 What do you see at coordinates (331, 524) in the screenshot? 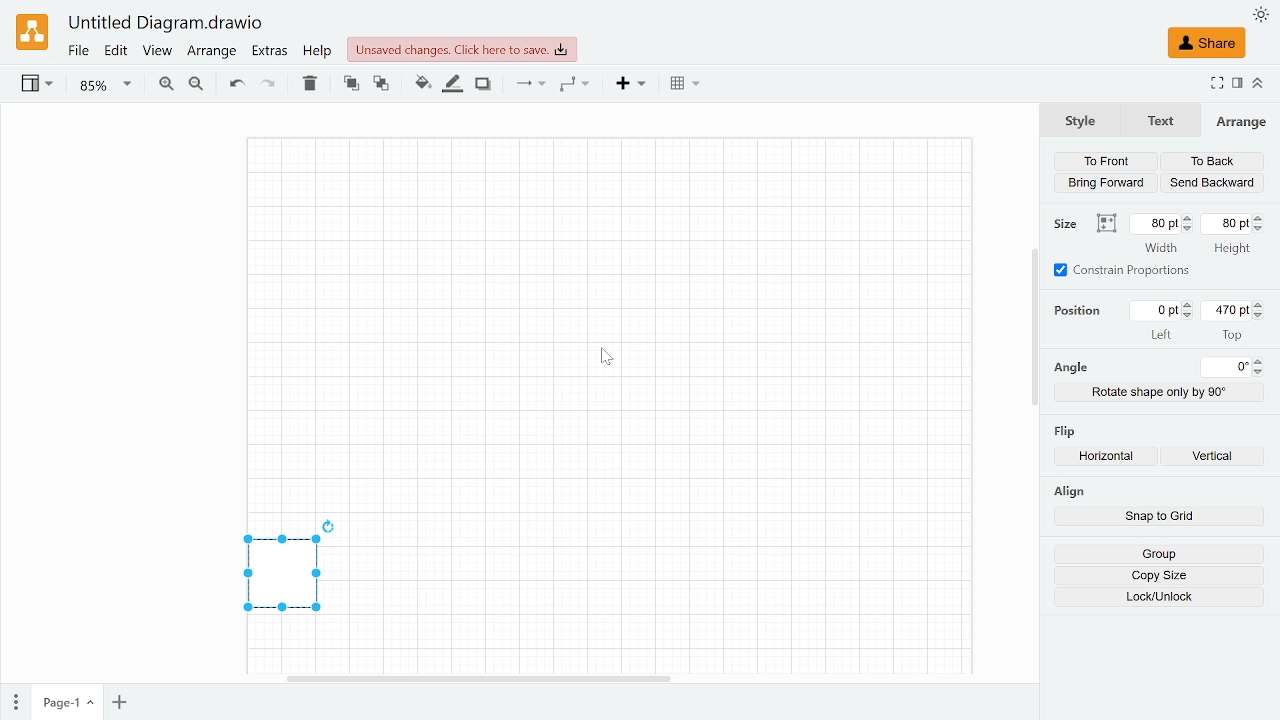
I see `Rotate` at bounding box center [331, 524].